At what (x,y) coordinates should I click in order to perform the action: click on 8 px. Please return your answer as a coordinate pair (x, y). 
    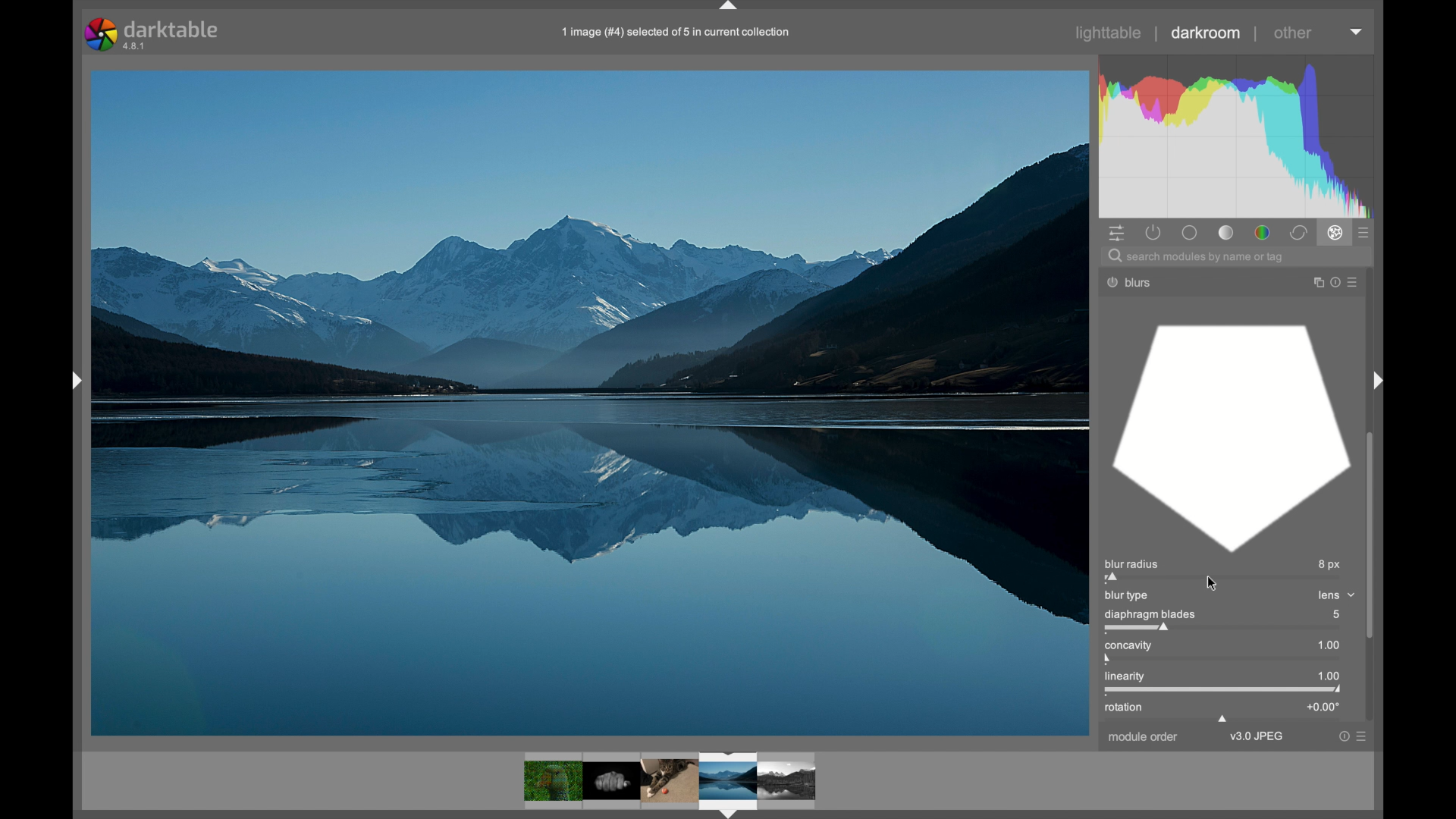
    Looking at the image, I should click on (1329, 563).